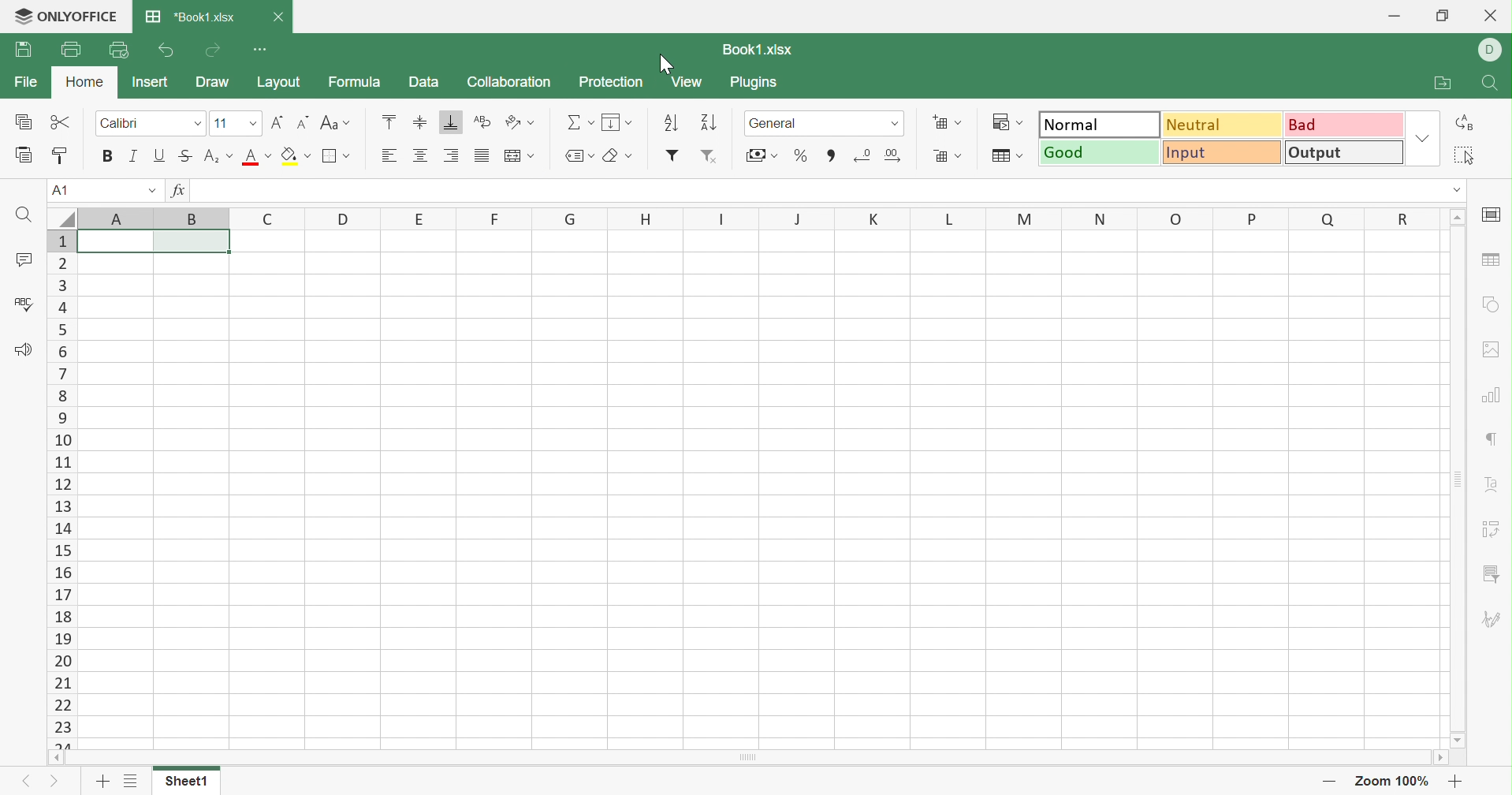 The height and width of the screenshot is (795, 1512). What do you see at coordinates (449, 123) in the screenshot?
I see `Align Bottom` at bounding box center [449, 123].